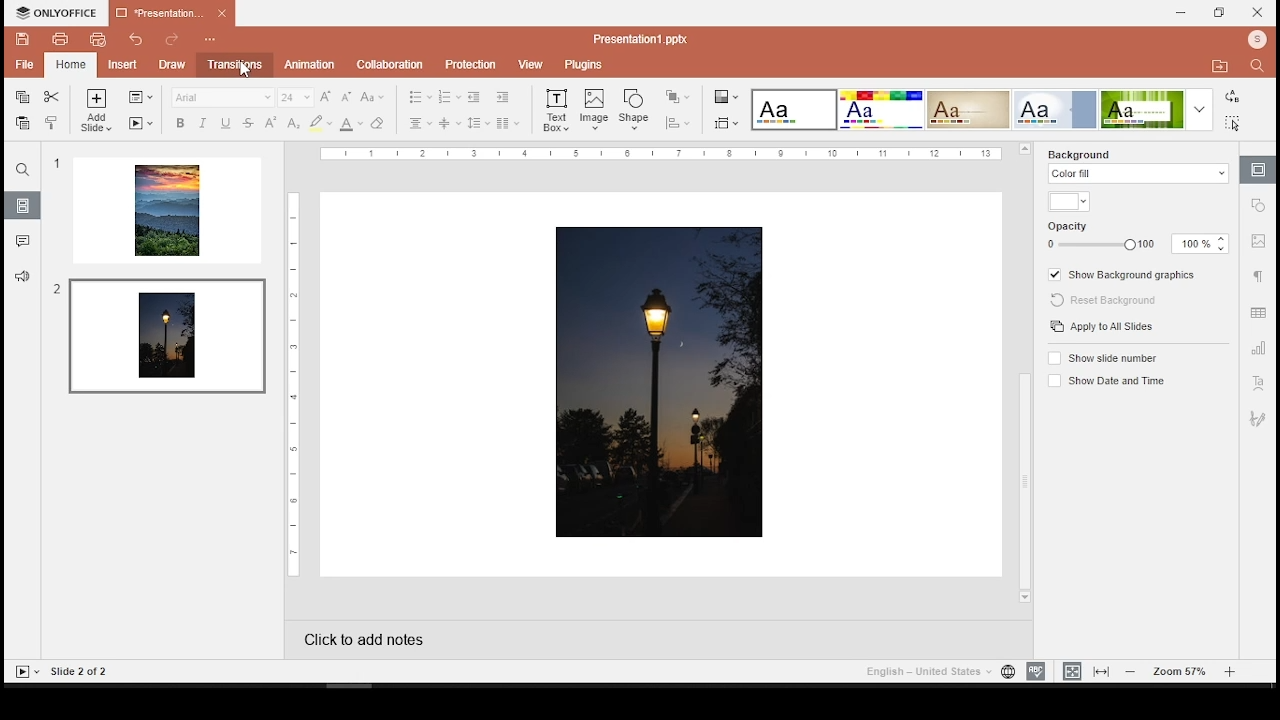 The image size is (1280, 720). I want to click on vertical align, so click(449, 124).